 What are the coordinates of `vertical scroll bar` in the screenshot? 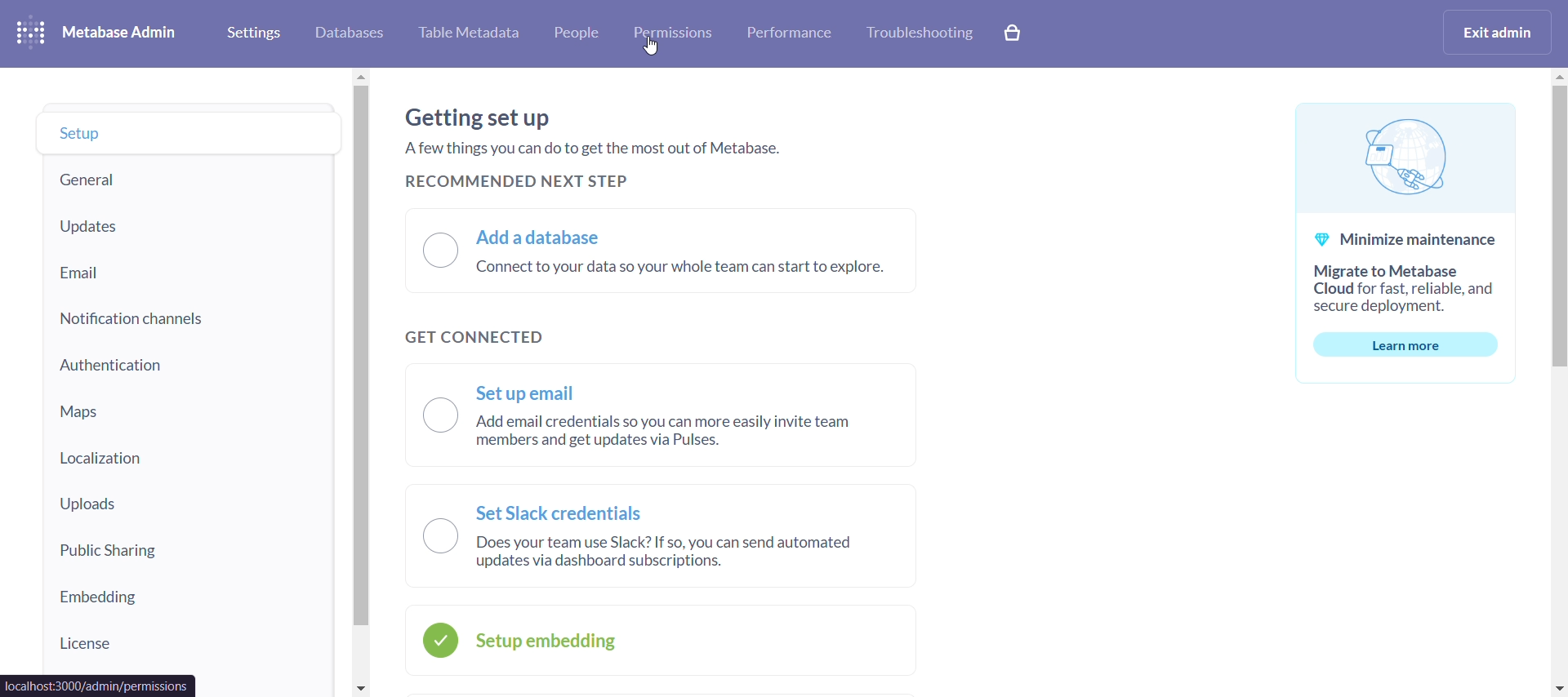 It's located at (359, 383).